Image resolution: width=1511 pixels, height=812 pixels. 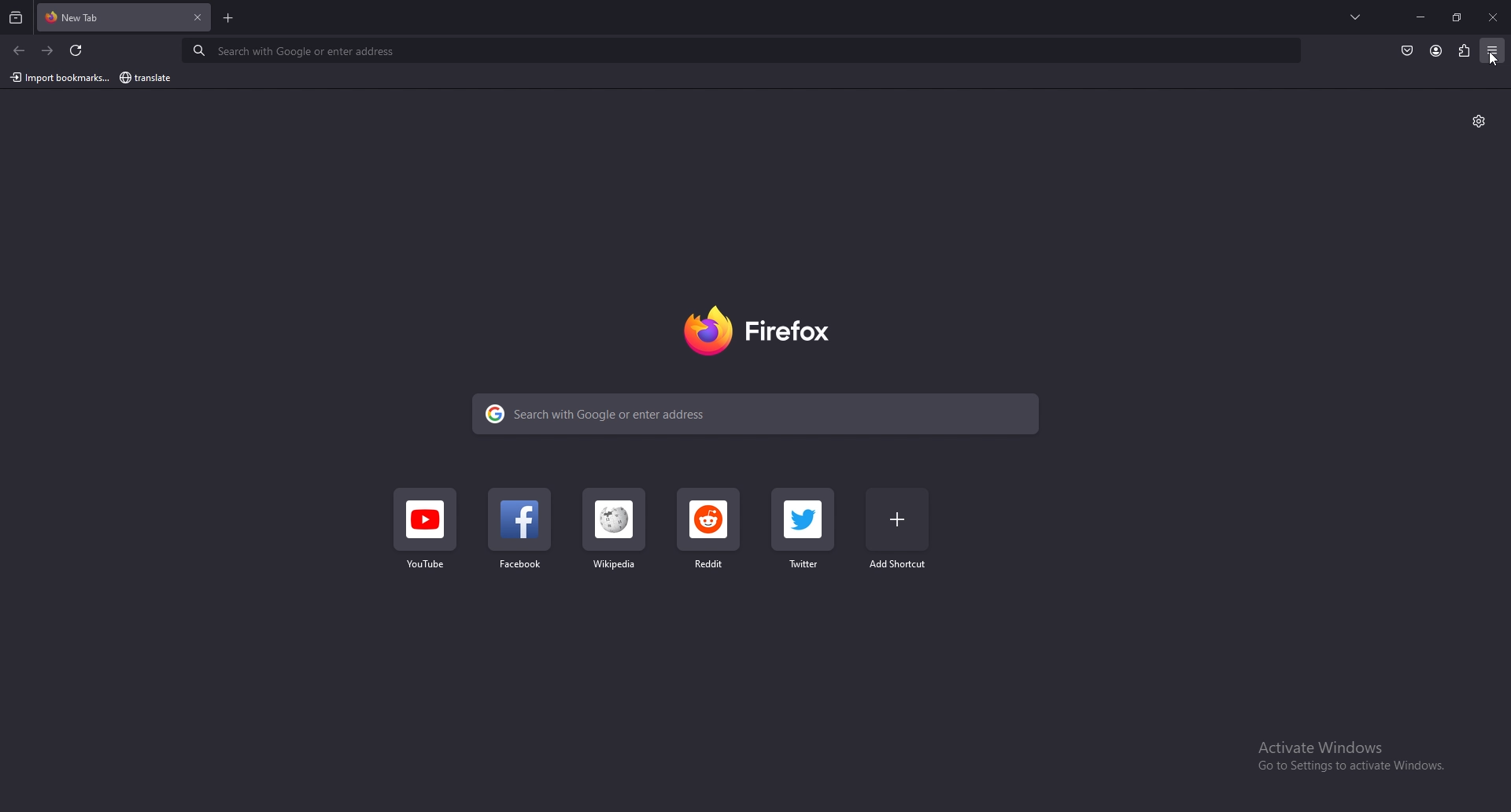 What do you see at coordinates (1420, 17) in the screenshot?
I see `minimize` at bounding box center [1420, 17].